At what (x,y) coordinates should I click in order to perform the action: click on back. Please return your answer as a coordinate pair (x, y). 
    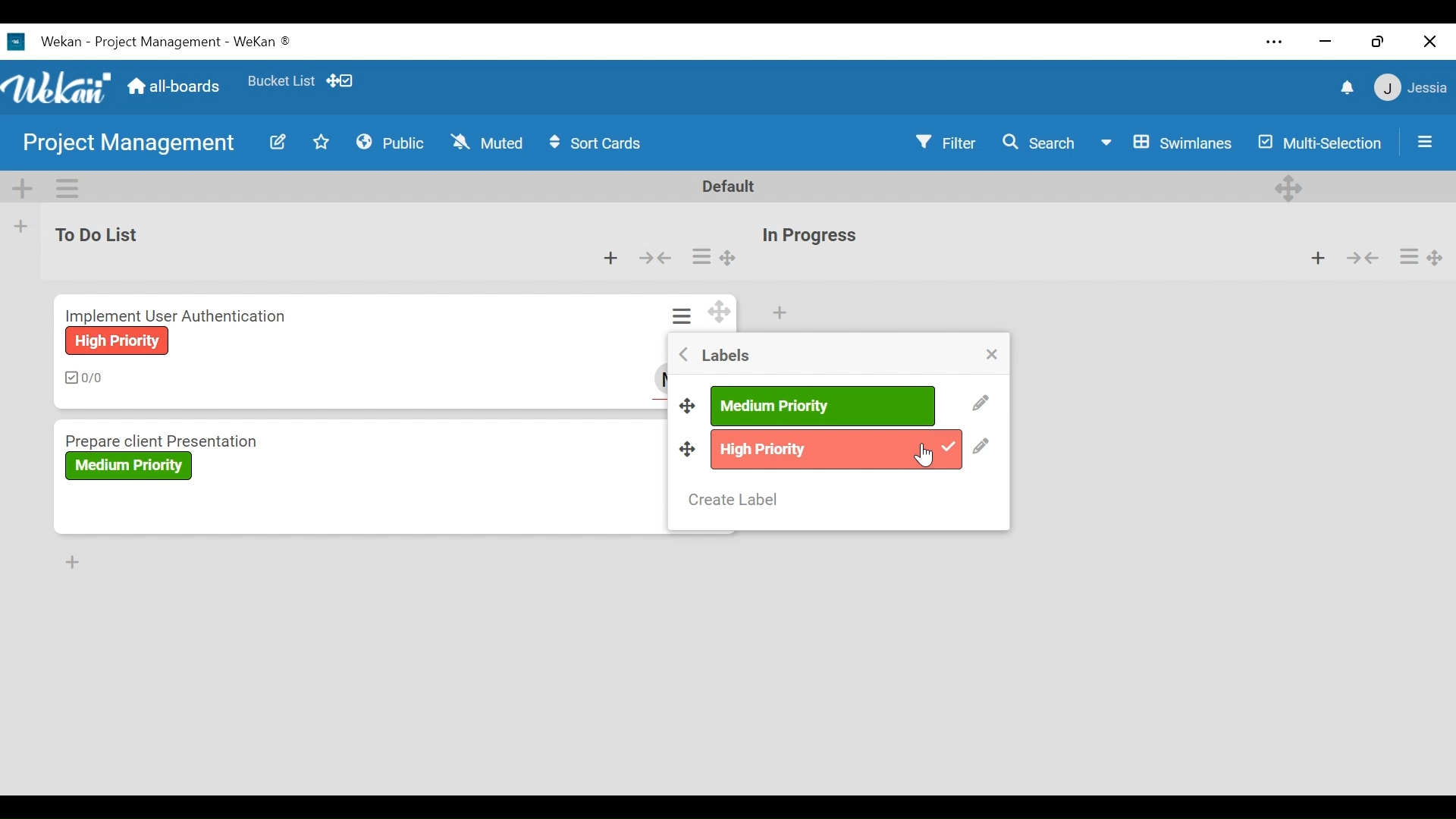
    Looking at the image, I should click on (680, 357).